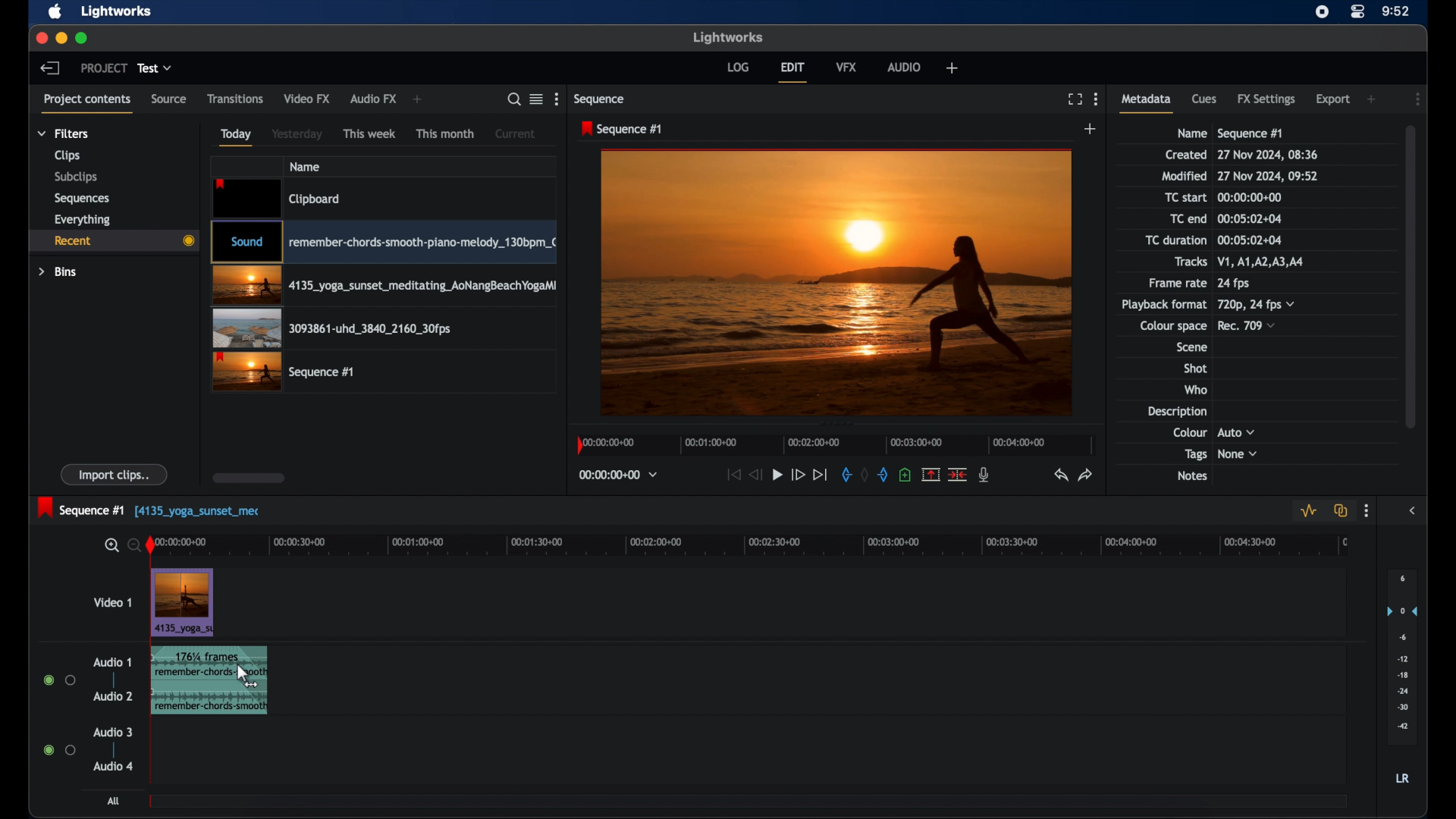 The height and width of the screenshot is (819, 1456). What do you see at coordinates (1250, 133) in the screenshot?
I see `sequence 1` at bounding box center [1250, 133].